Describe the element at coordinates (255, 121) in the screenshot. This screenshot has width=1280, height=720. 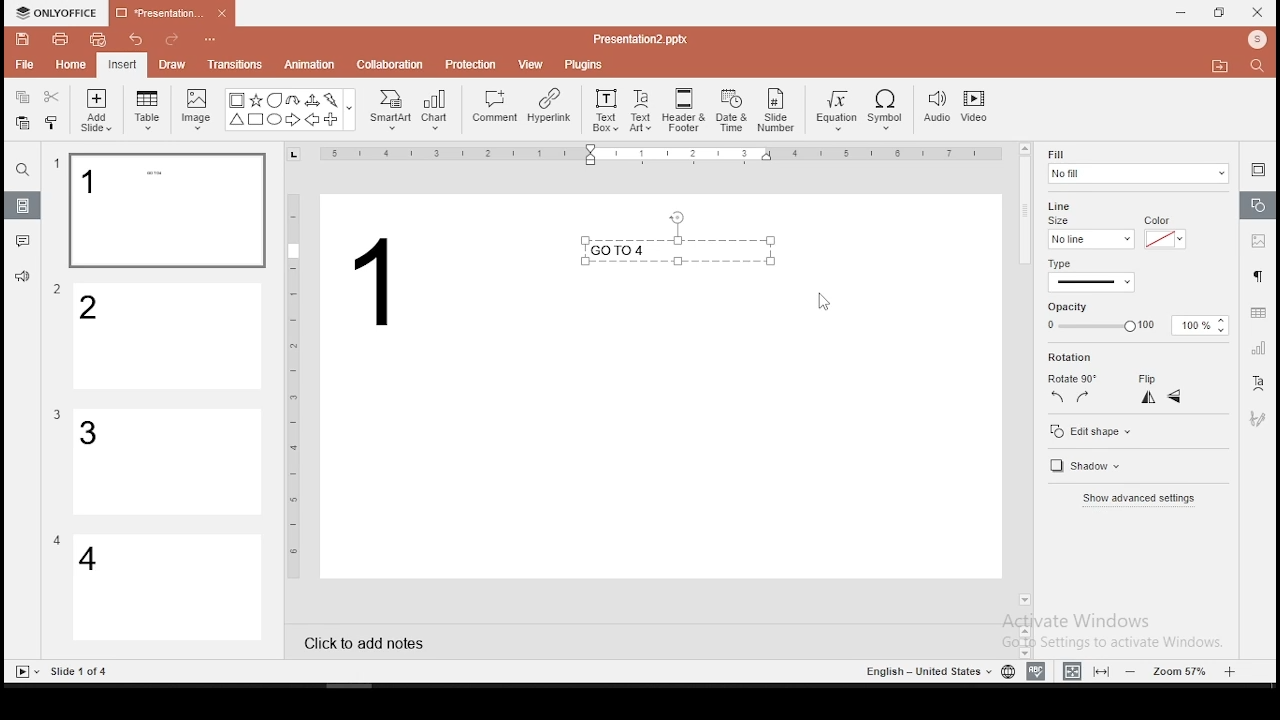
I see `Square` at that location.